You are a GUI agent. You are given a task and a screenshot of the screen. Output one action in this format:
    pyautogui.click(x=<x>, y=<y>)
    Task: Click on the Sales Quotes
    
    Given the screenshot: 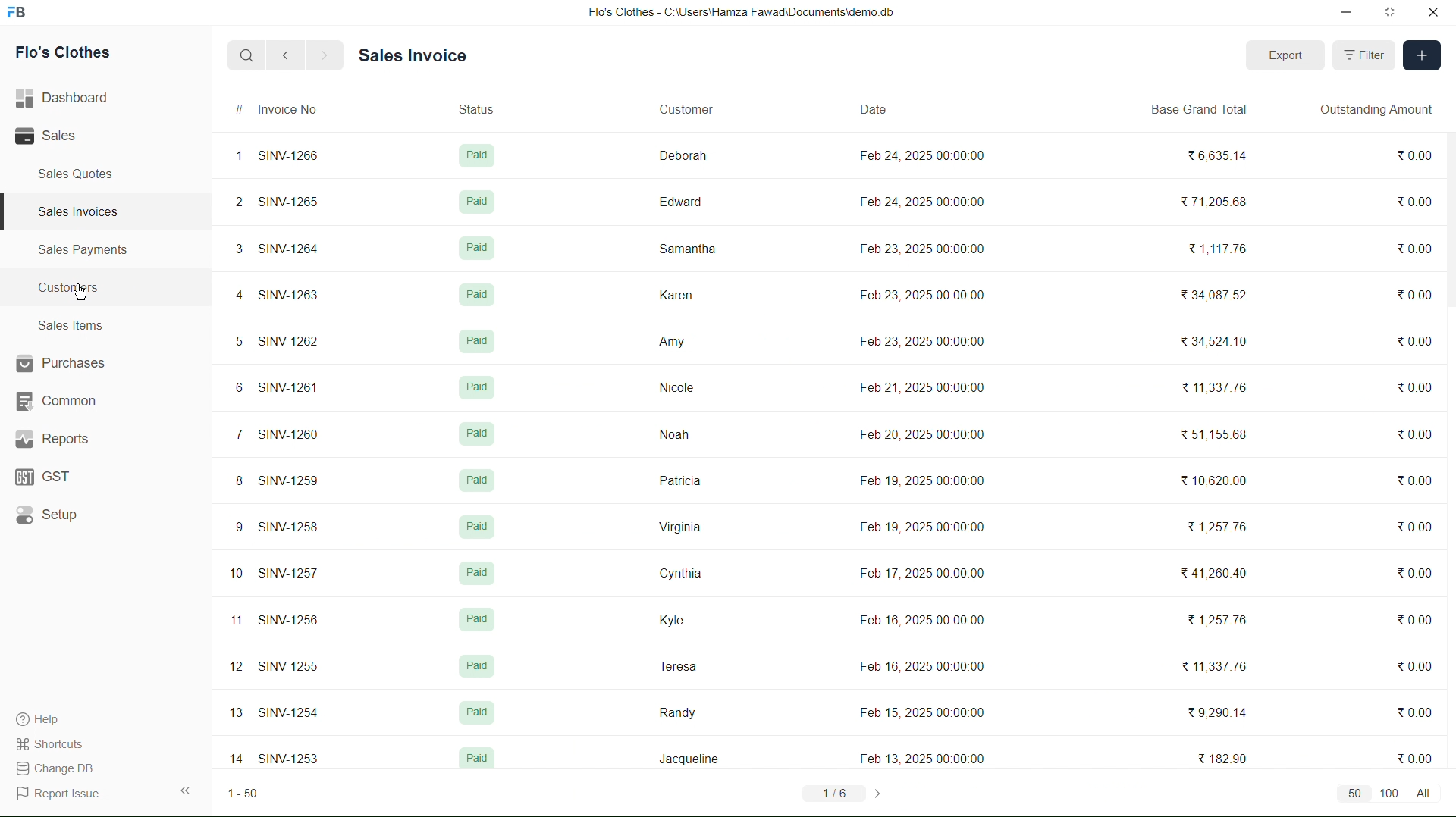 What is the action you would take?
    pyautogui.click(x=73, y=175)
    